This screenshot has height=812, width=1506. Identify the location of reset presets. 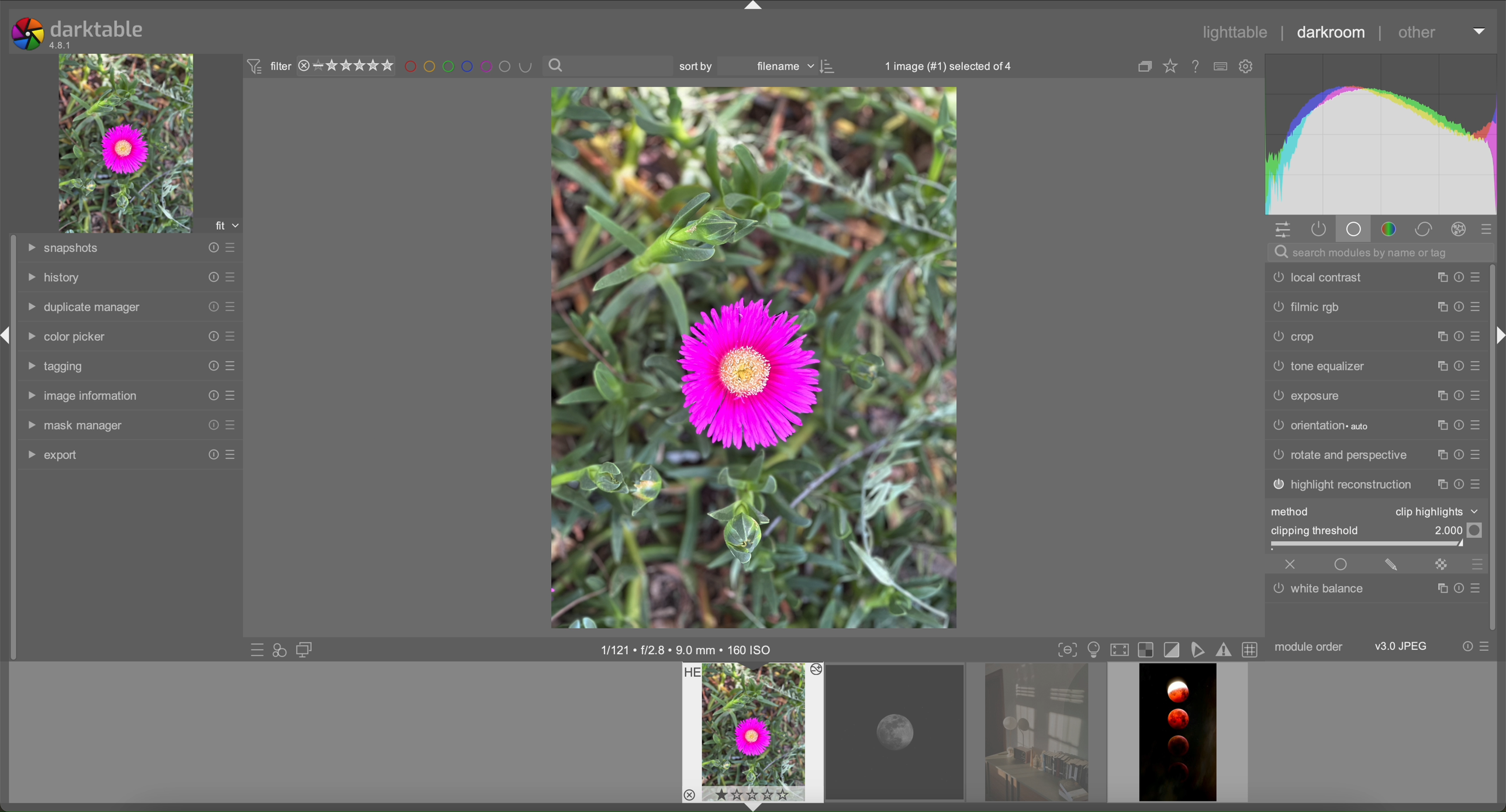
(1458, 336).